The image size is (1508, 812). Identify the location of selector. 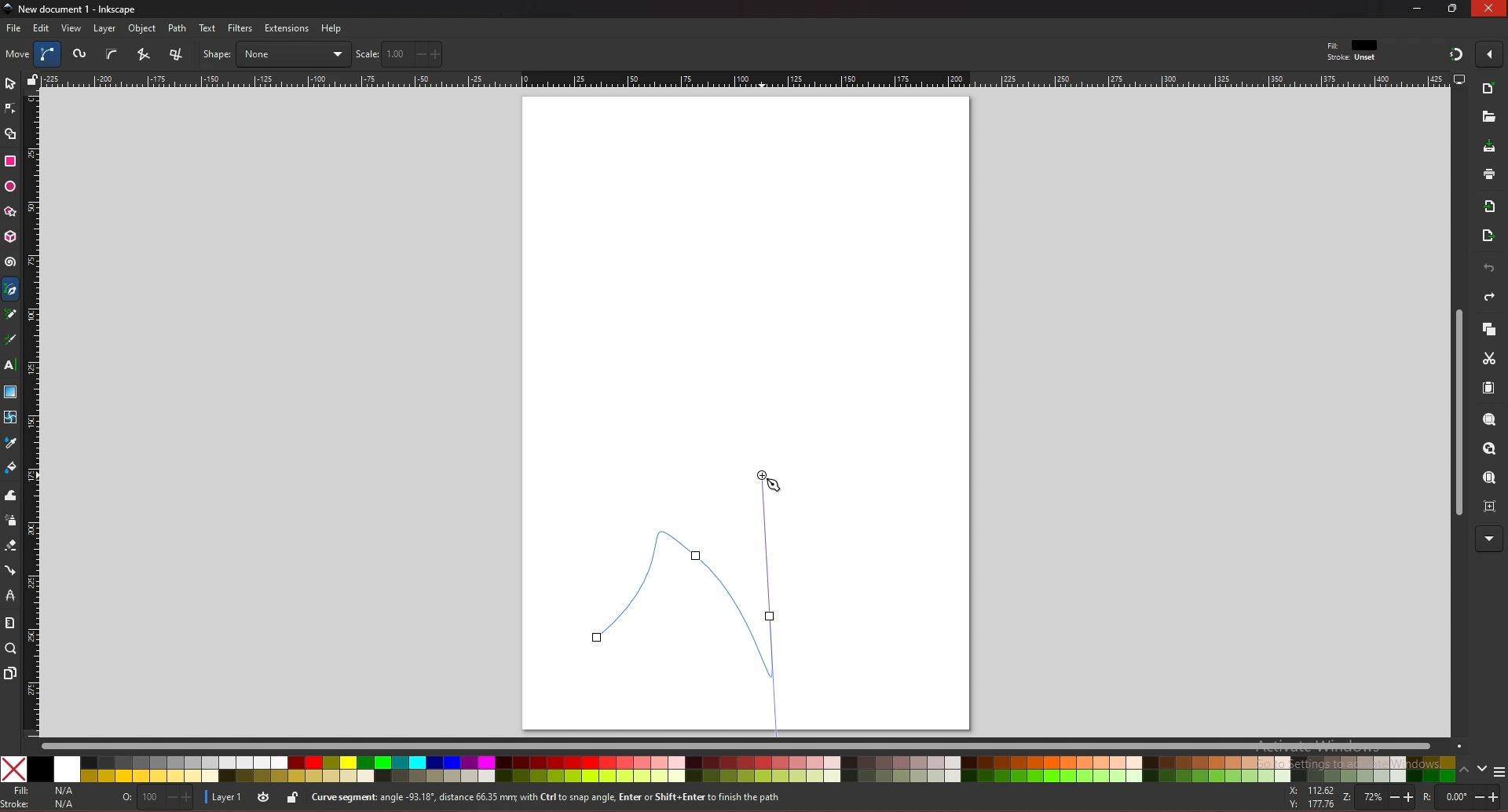
(10, 83).